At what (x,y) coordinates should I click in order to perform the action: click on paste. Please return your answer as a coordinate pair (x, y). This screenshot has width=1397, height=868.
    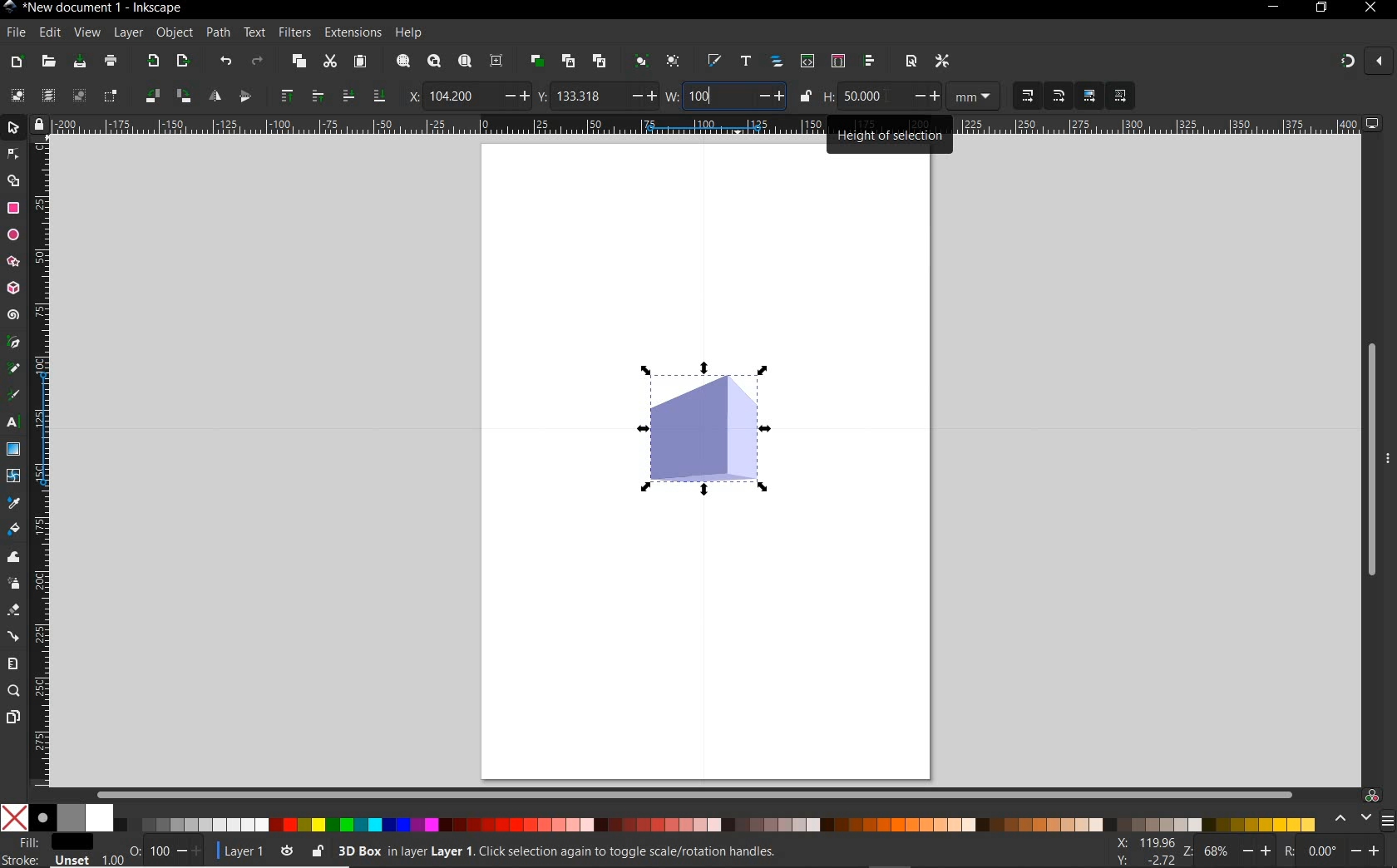
    Looking at the image, I should click on (360, 62).